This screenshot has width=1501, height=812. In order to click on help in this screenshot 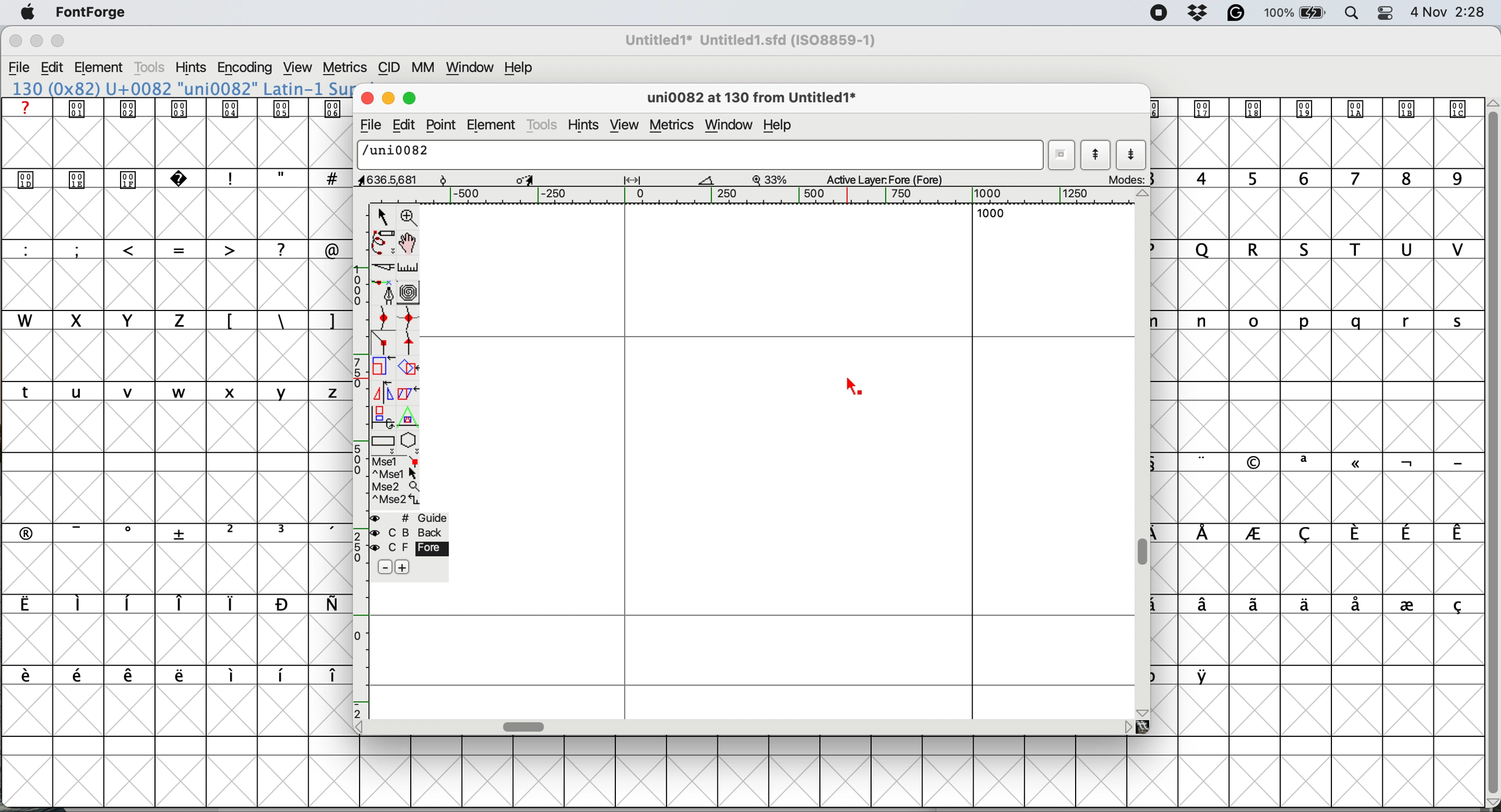, I will do `click(522, 68)`.